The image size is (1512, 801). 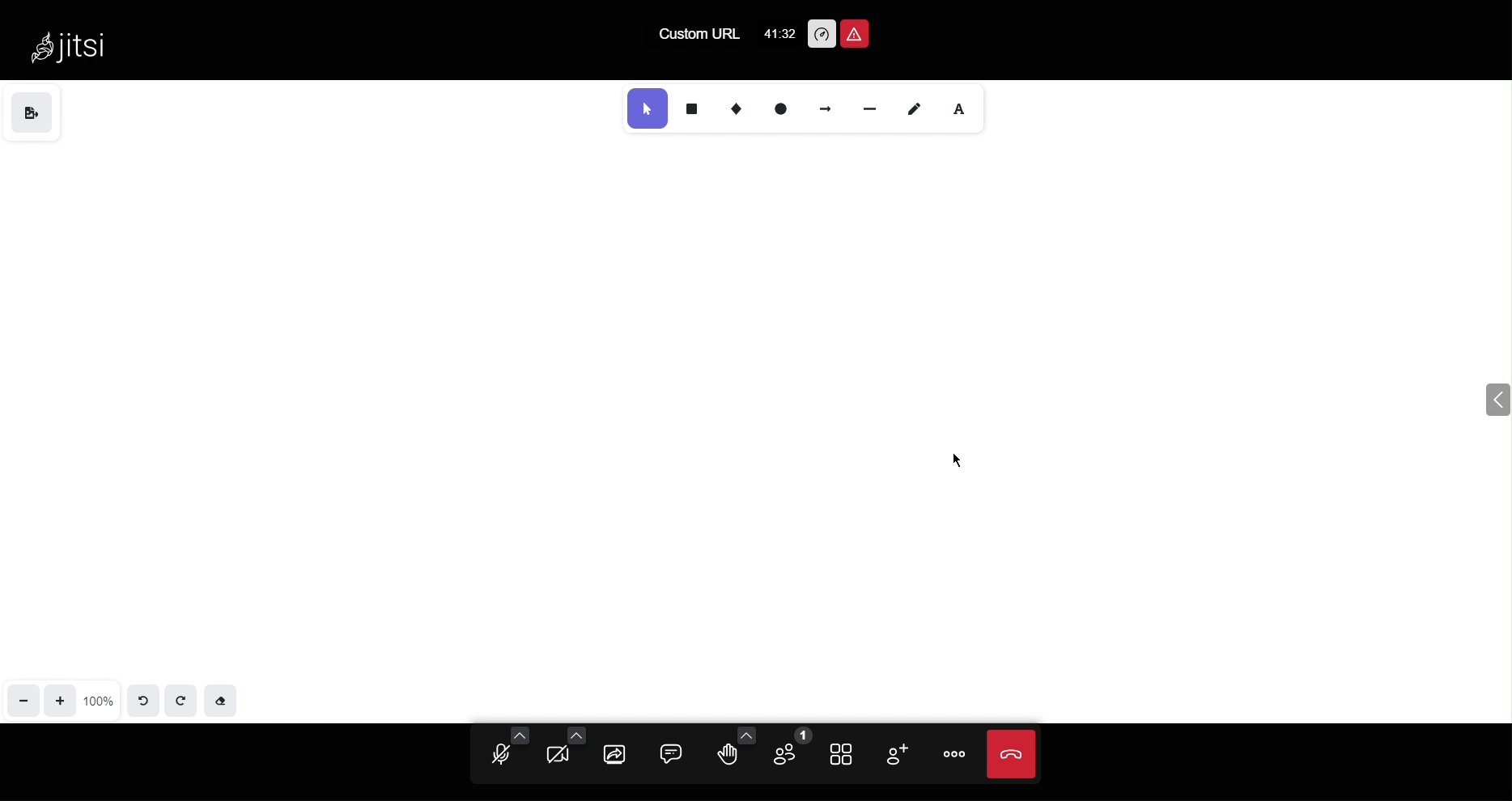 What do you see at coordinates (1013, 753) in the screenshot?
I see `Close video` at bounding box center [1013, 753].